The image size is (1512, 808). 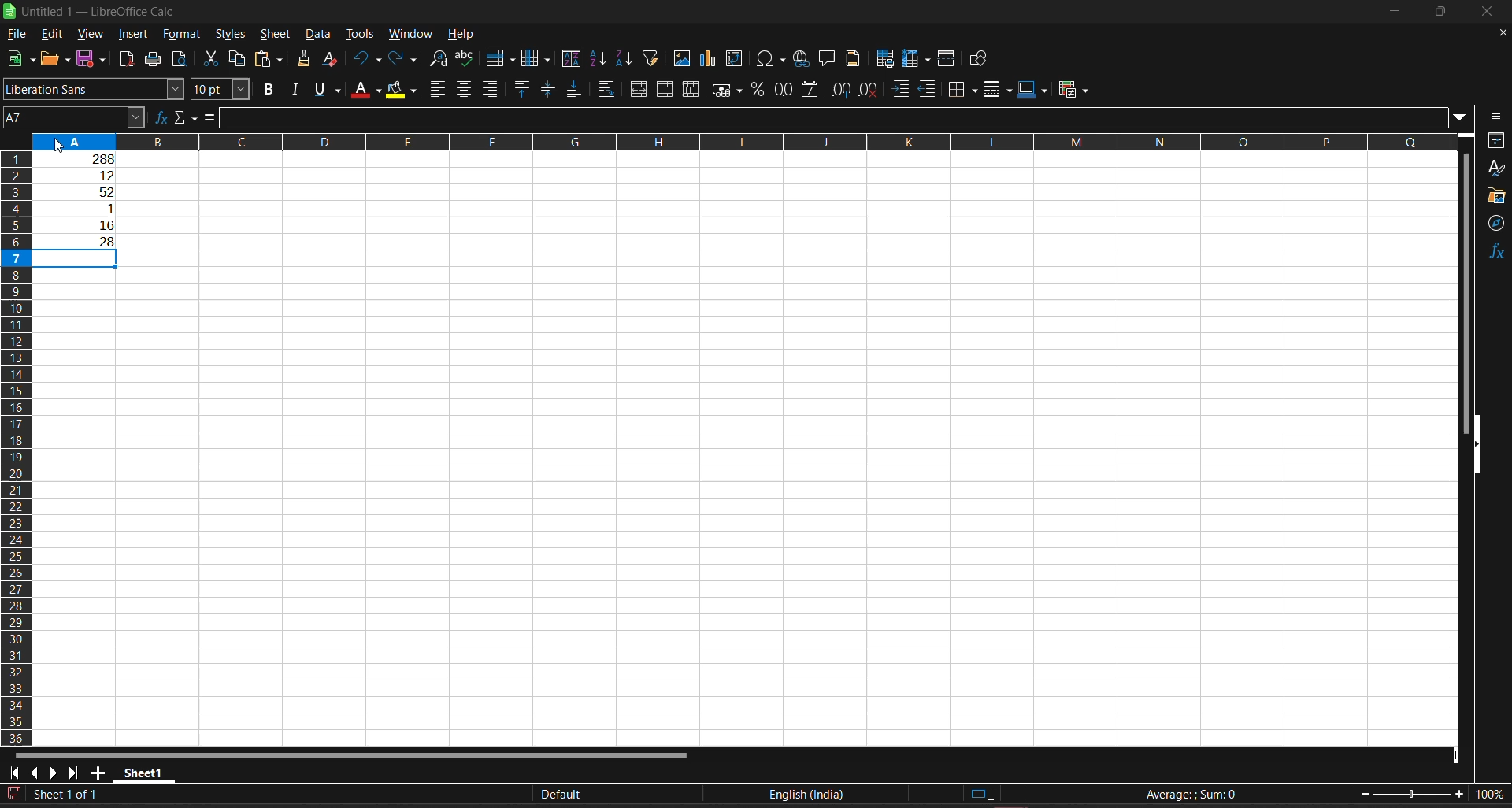 What do you see at coordinates (884, 59) in the screenshot?
I see `define print area` at bounding box center [884, 59].